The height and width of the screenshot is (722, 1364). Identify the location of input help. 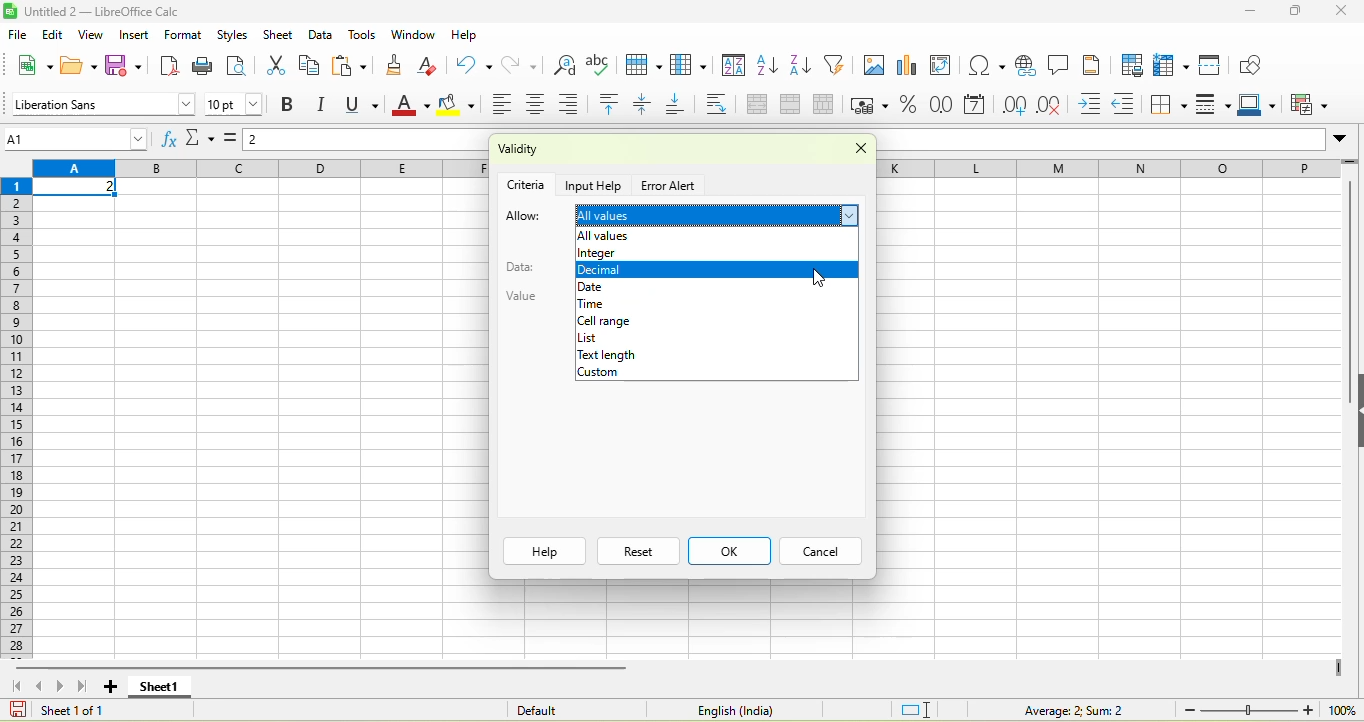
(596, 184).